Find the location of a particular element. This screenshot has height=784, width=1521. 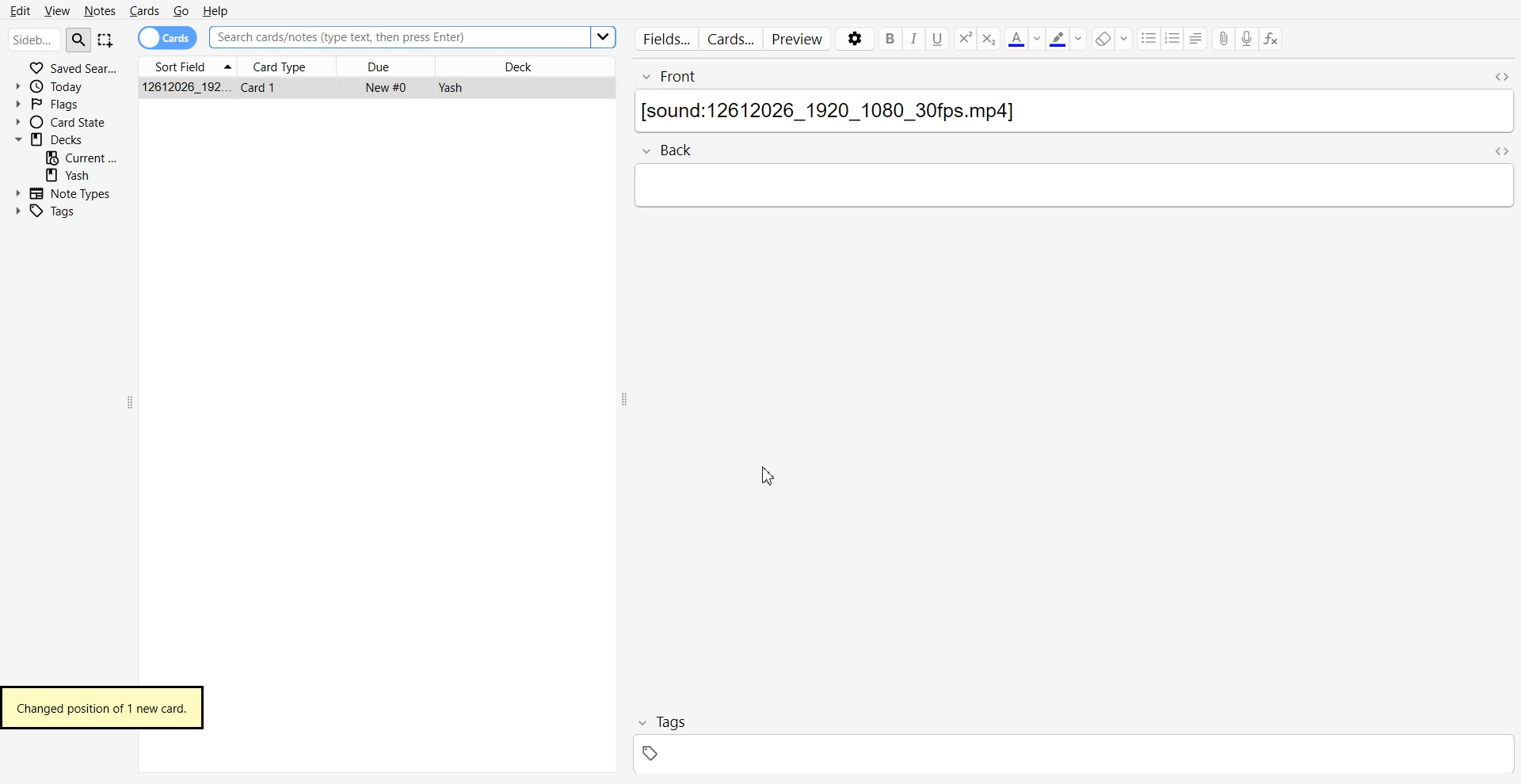

Go is located at coordinates (180, 10).